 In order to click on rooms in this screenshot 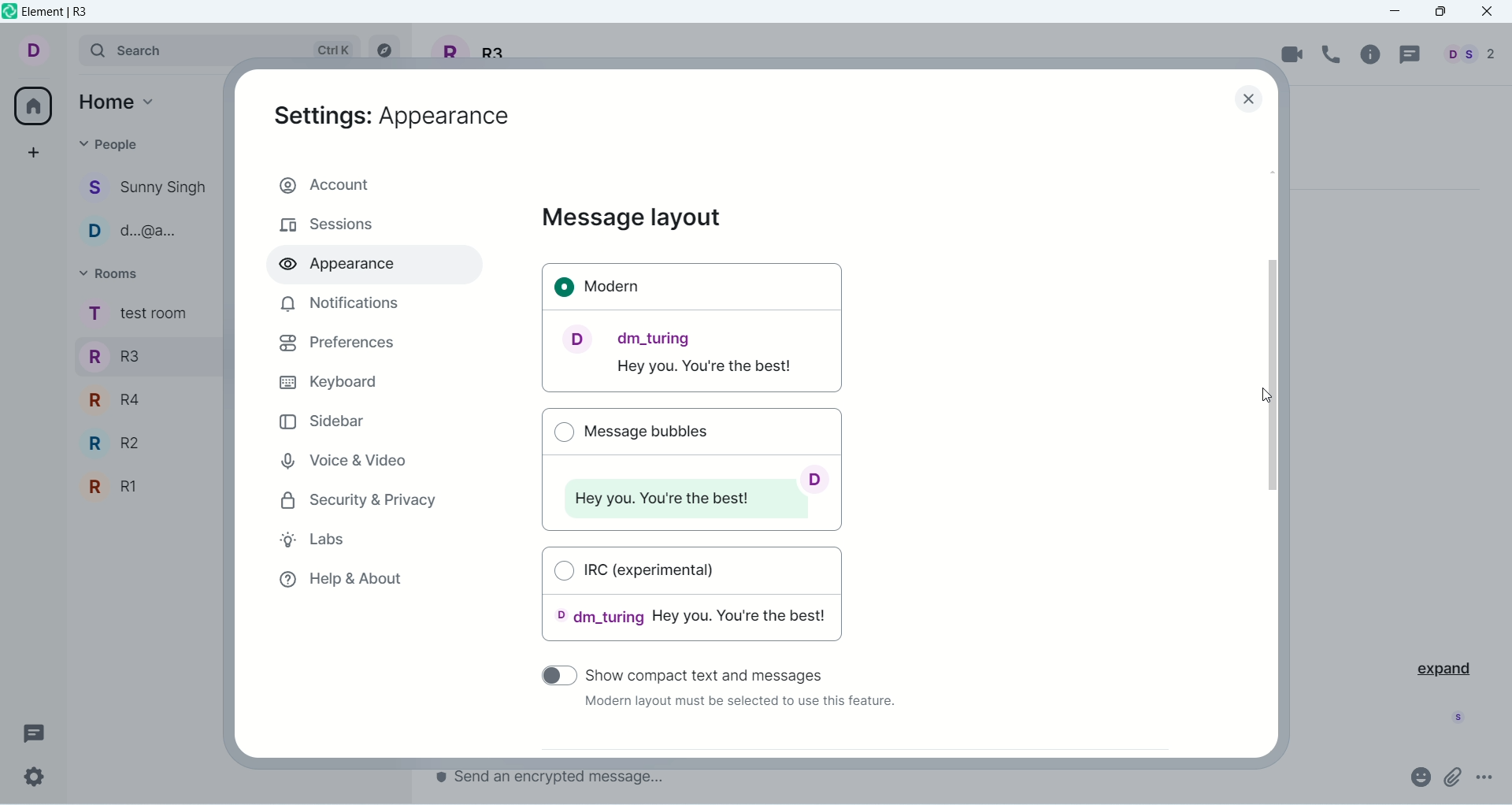, I will do `click(135, 315)`.